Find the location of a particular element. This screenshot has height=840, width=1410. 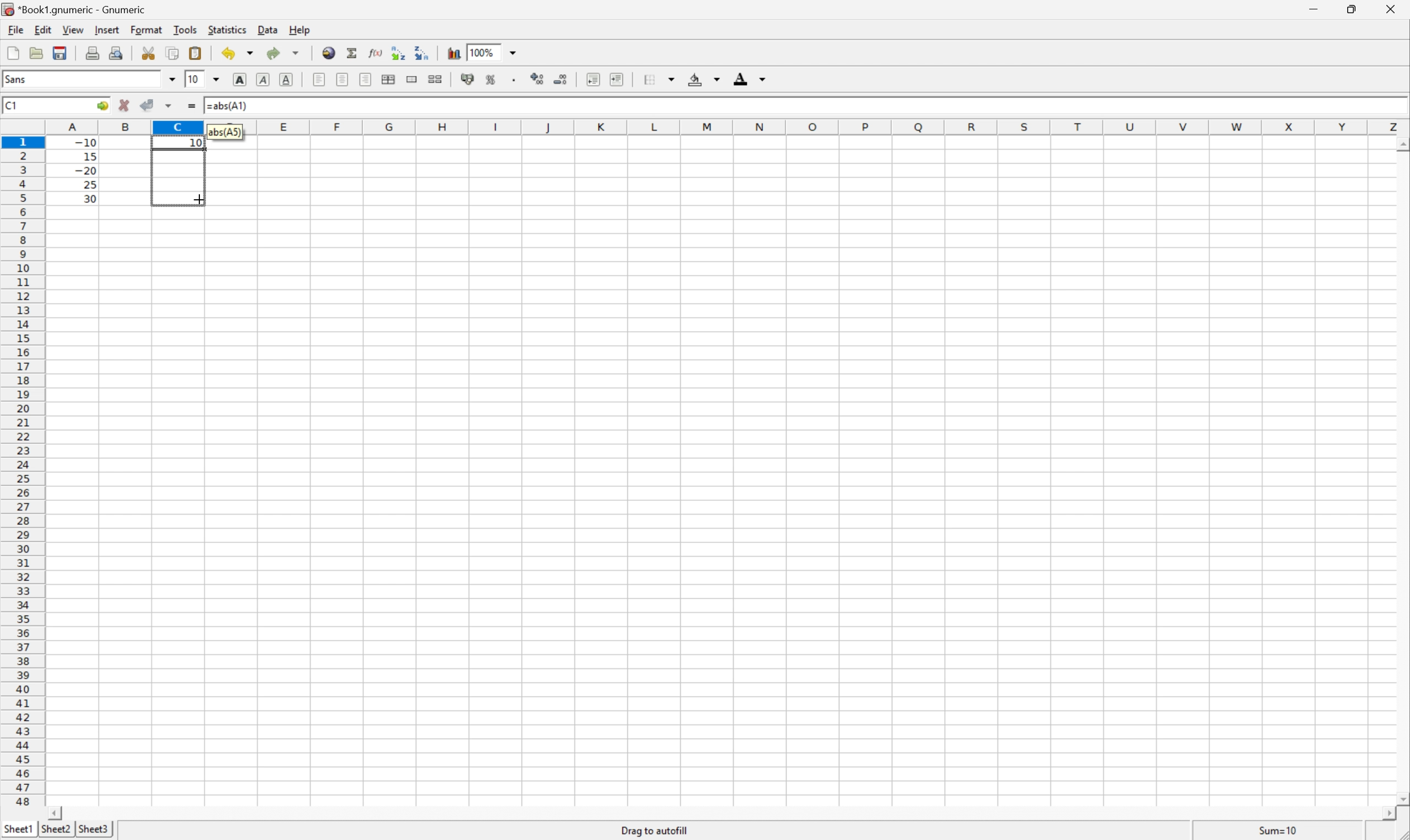

Print preview is located at coordinates (118, 52).